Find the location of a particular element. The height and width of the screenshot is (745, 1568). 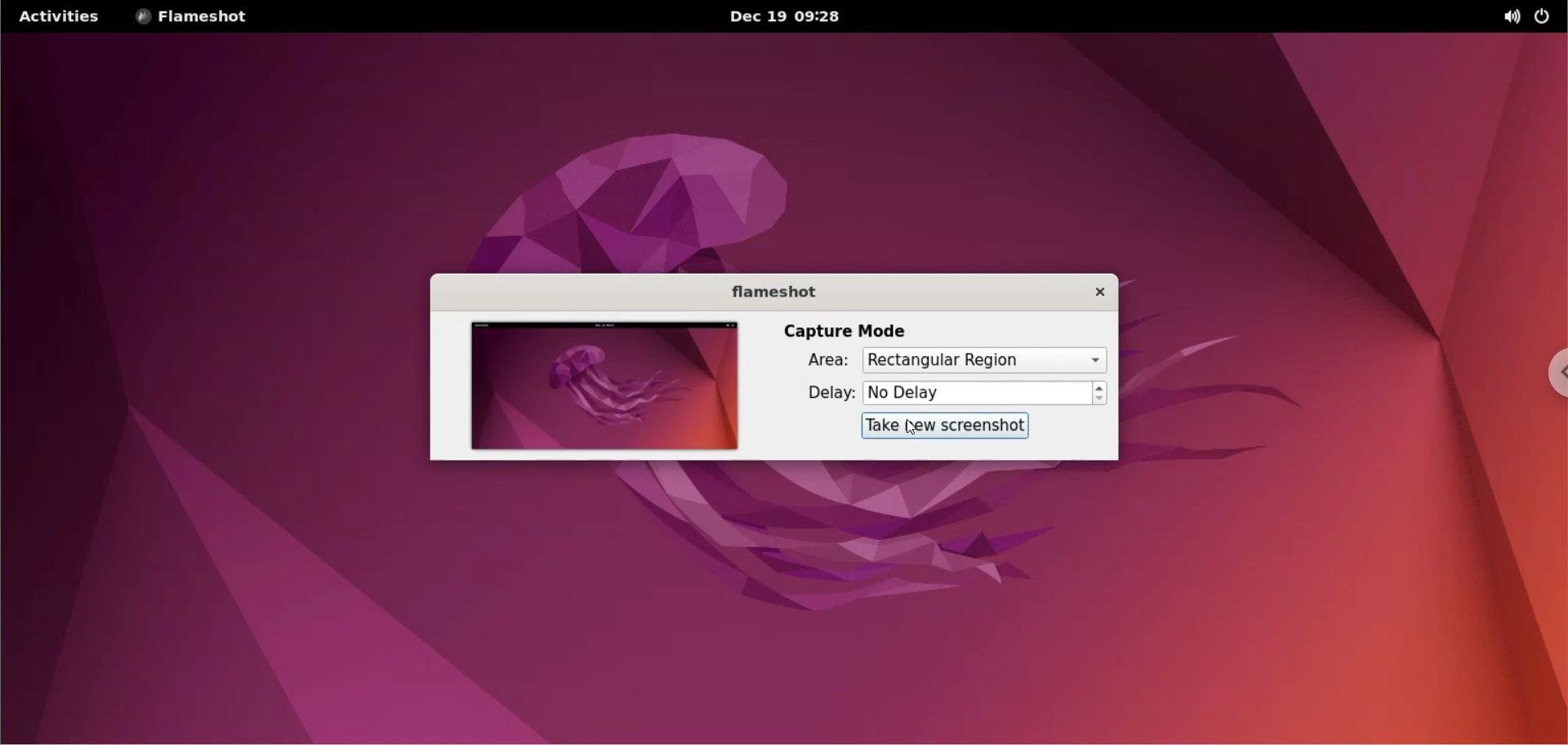

chrome options is located at coordinates (1549, 374).